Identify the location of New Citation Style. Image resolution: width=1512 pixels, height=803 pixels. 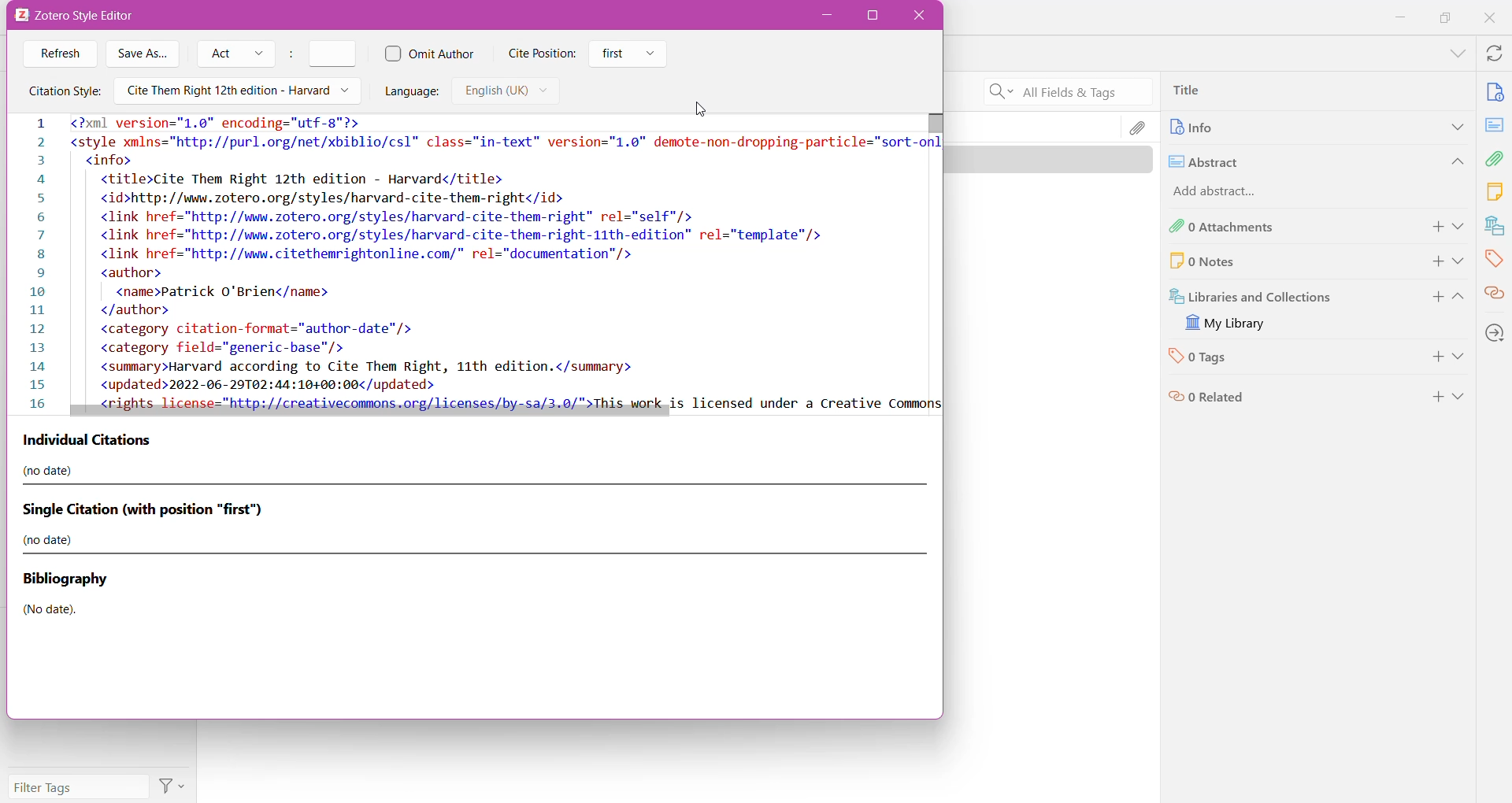
(236, 91).